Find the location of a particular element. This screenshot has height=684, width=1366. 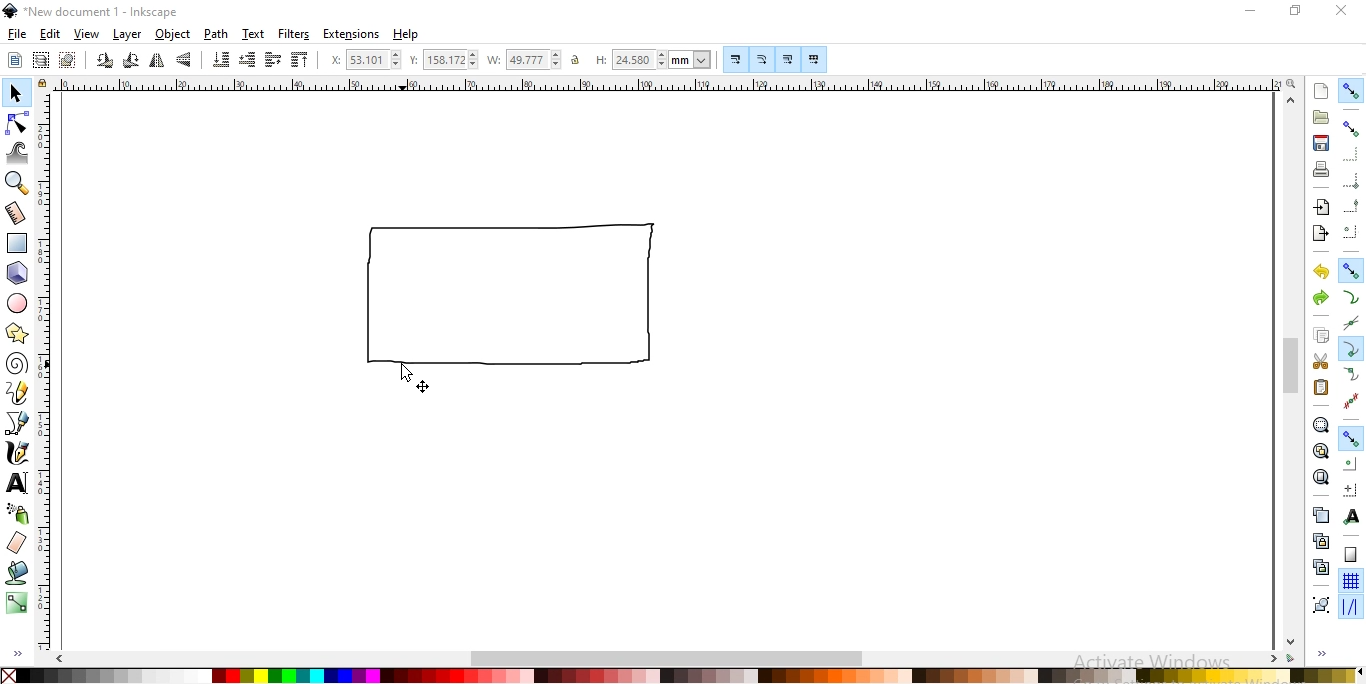

create stars and polygons is located at coordinates (19, 331).